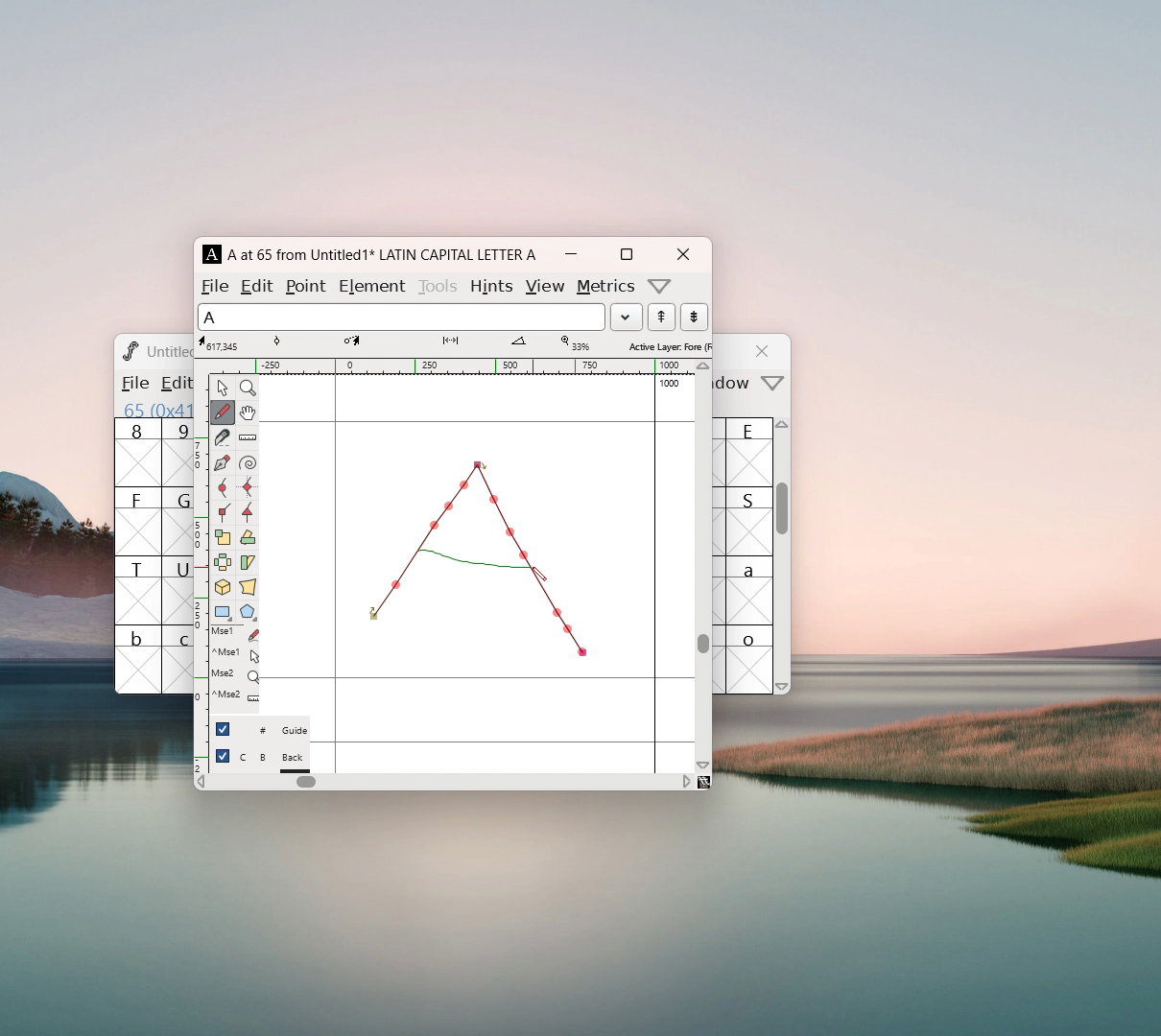  What do you see at coordinates (222, 343) in the screenshot?
I see `cursor coordinates` at bounding box center [222, 343].